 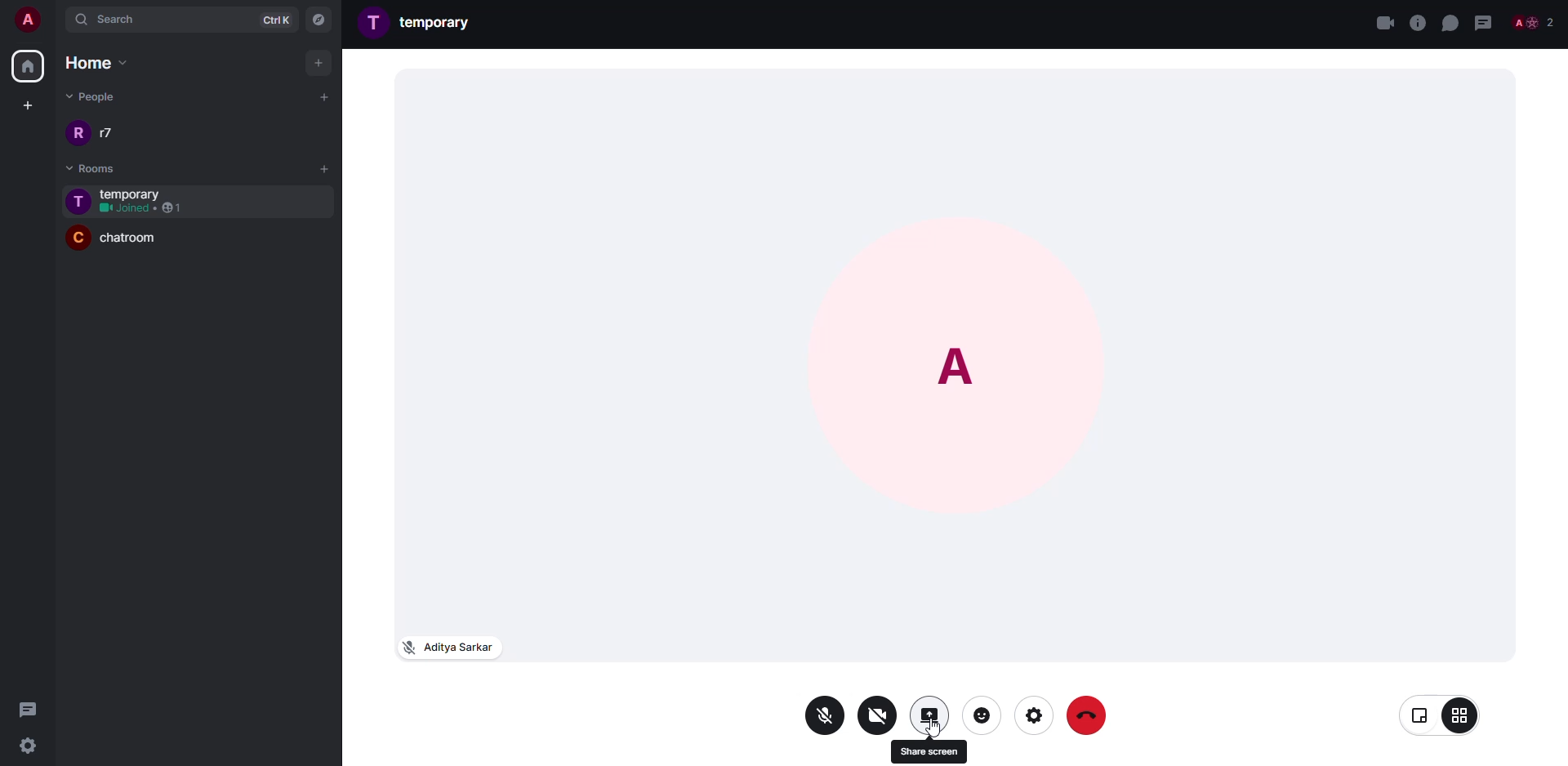 What do you see at coordinates (375, 21) in the screenshot?
I see `profile` at bounding box center [375, 21].